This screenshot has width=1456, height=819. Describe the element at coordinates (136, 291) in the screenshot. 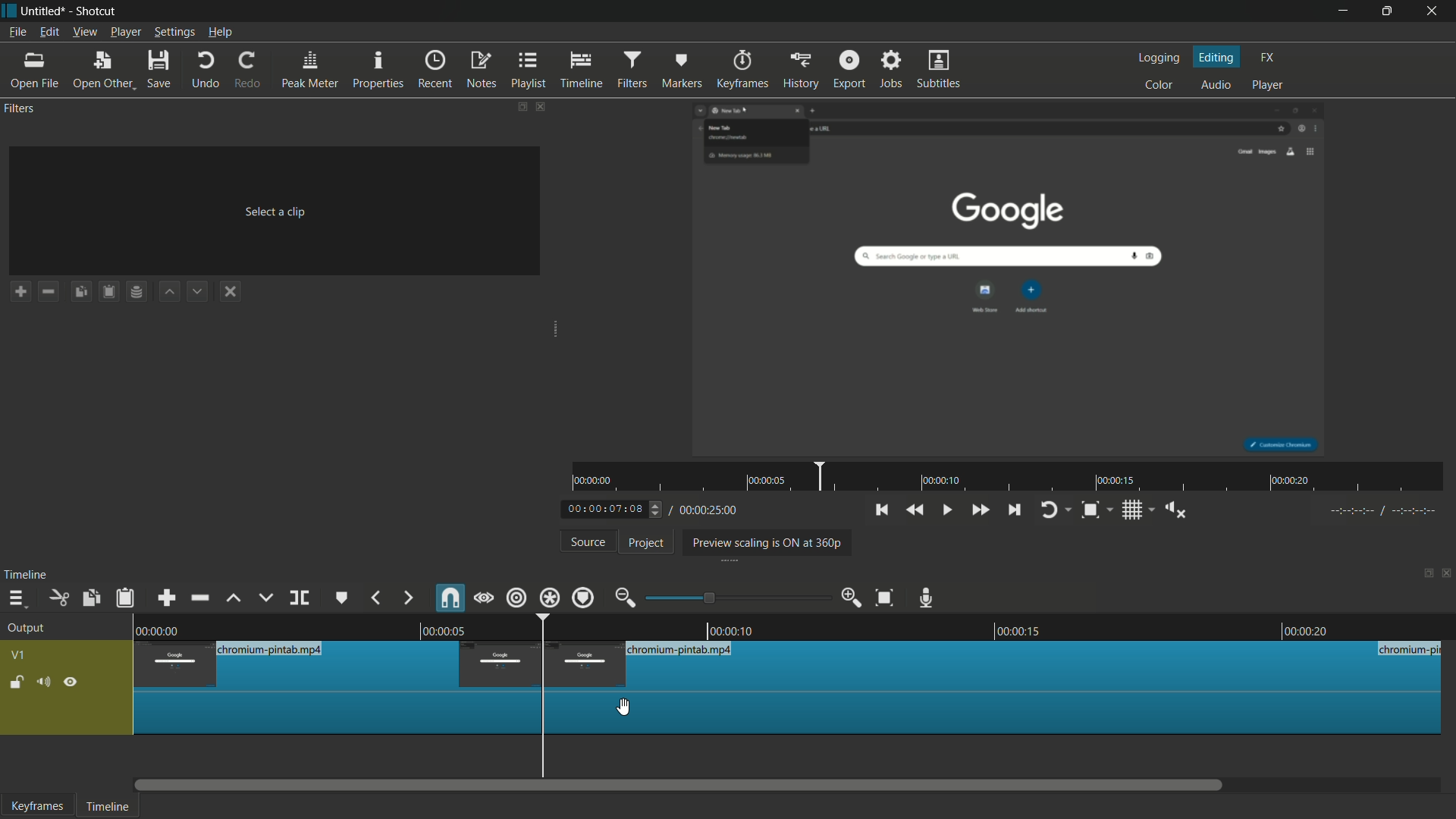

I see `save filter set` at that location.